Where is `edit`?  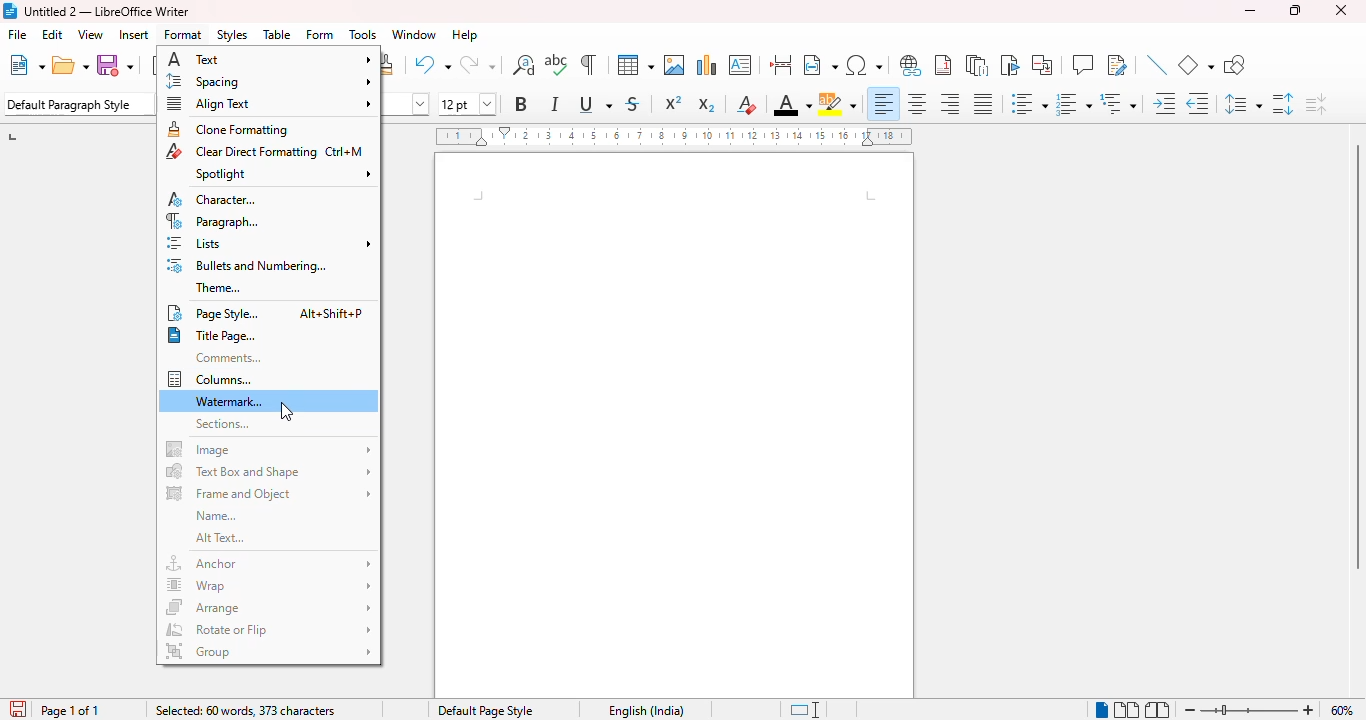 edit is located at coordinates (52, 34).